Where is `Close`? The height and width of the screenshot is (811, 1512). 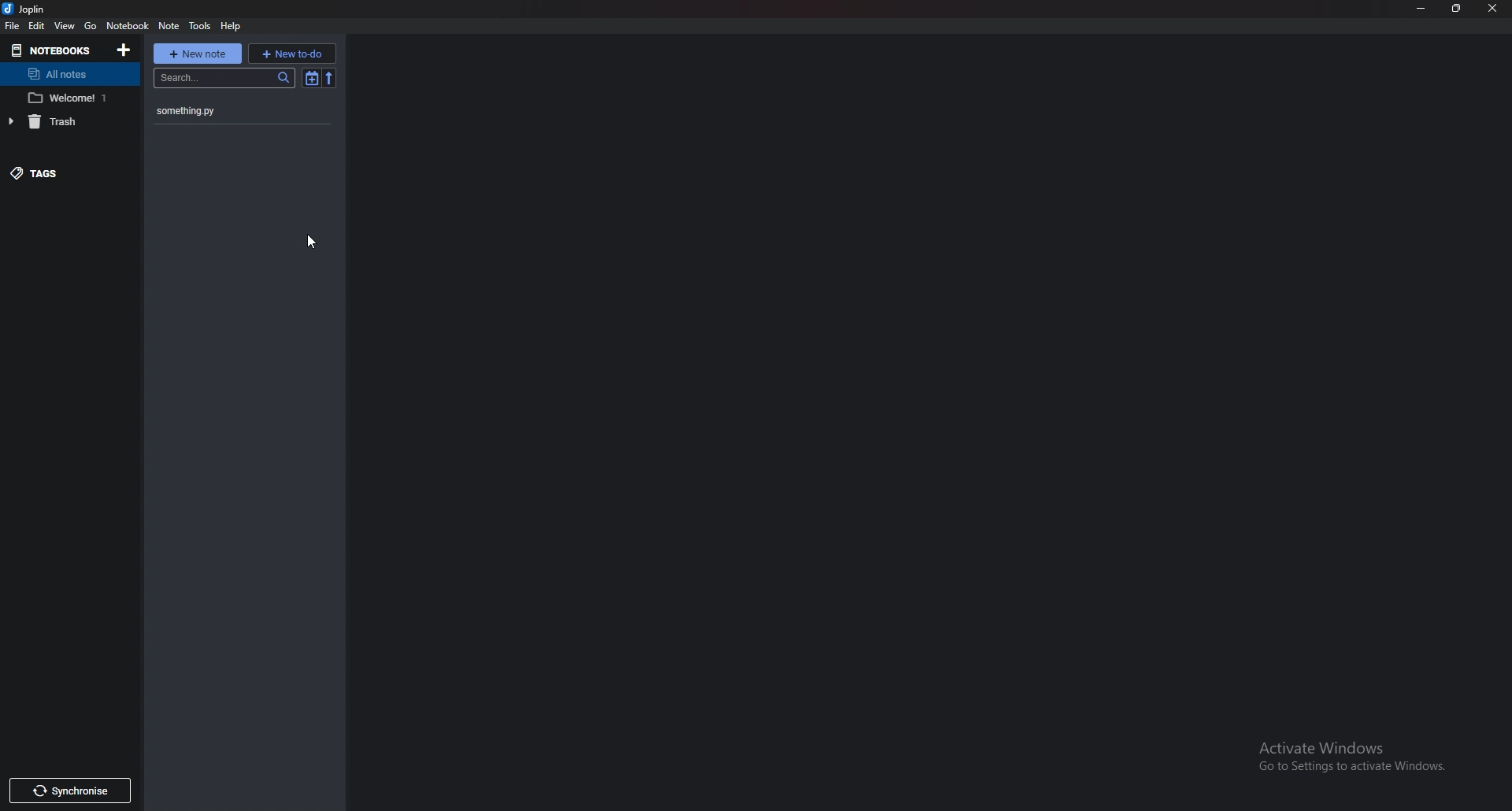 Close is located at coordinates (1488, 9).